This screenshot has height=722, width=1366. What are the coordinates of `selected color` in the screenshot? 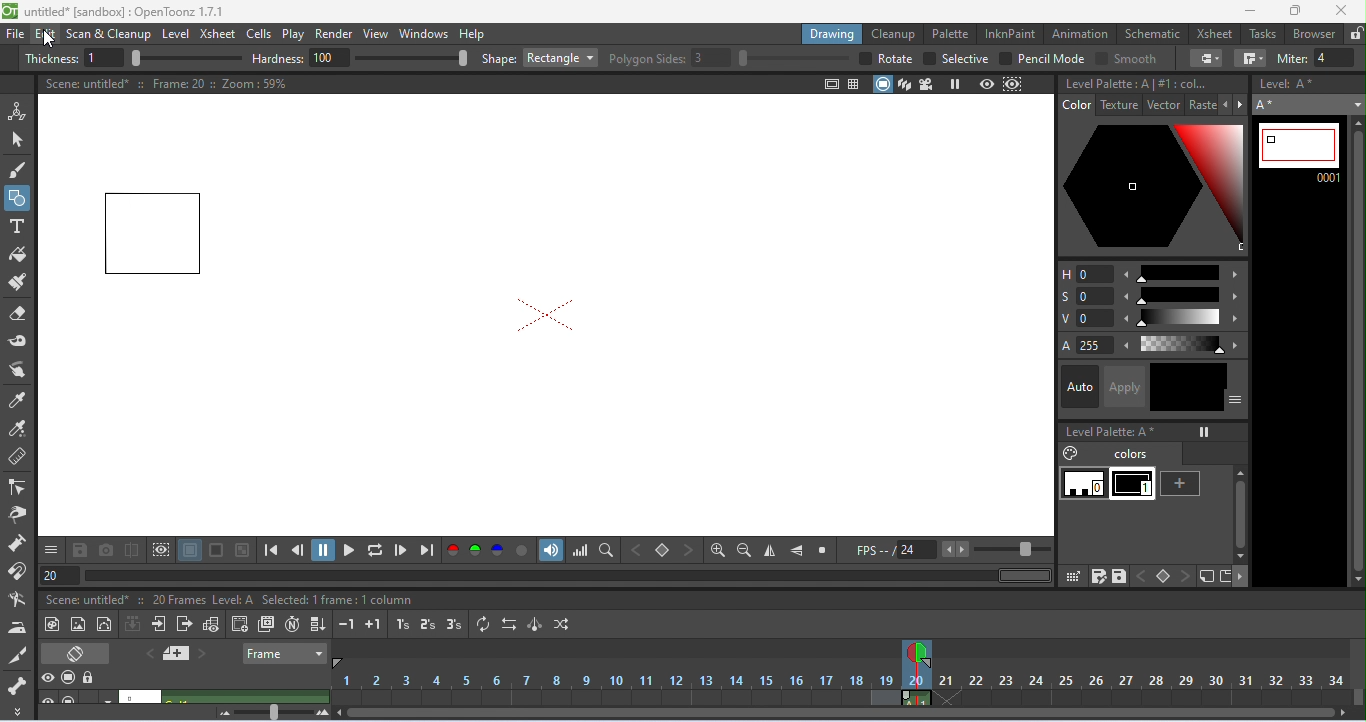 It's located at (1152, 188).